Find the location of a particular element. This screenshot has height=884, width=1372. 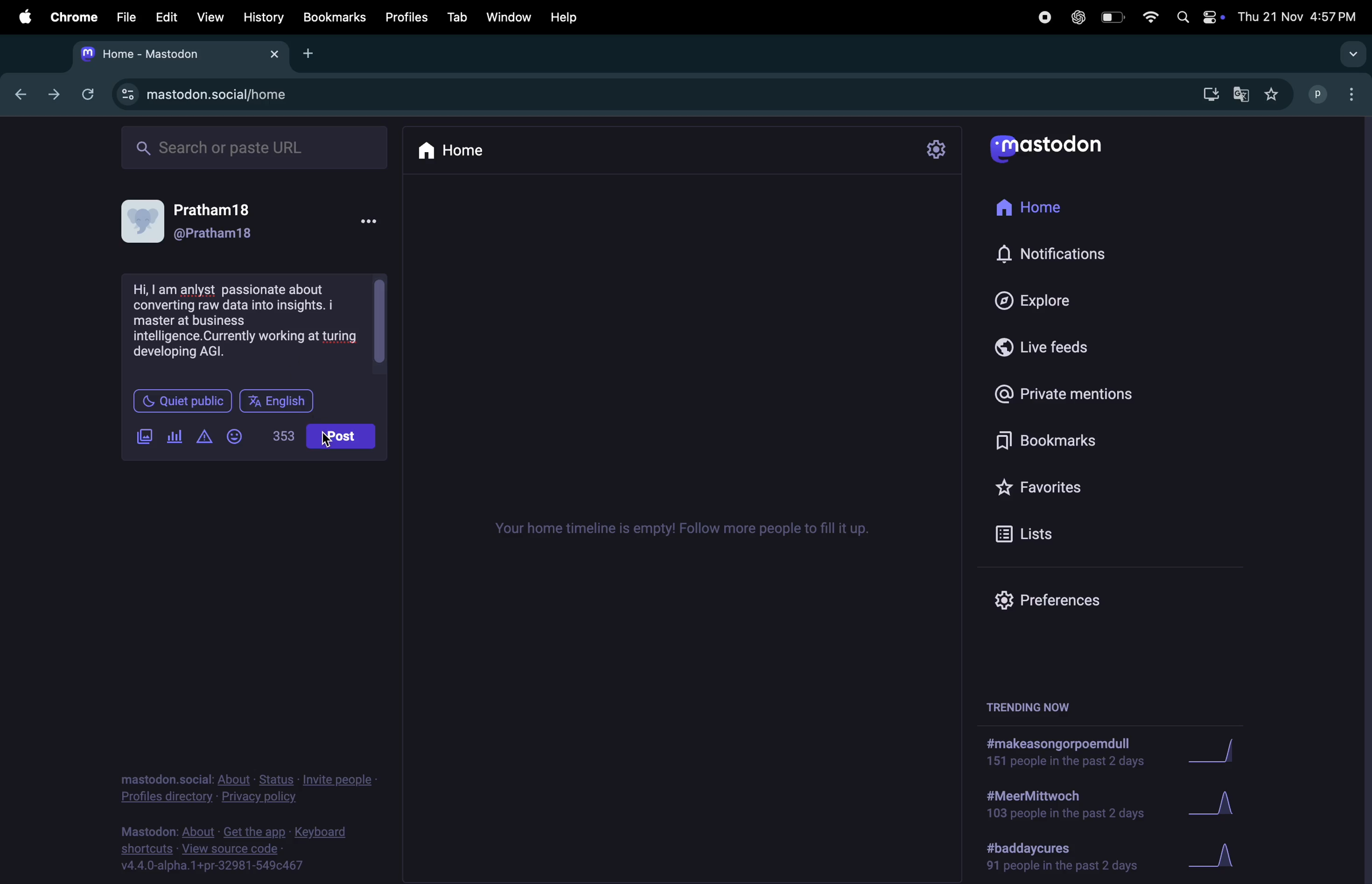

home is located at coordinates (1052, 203).